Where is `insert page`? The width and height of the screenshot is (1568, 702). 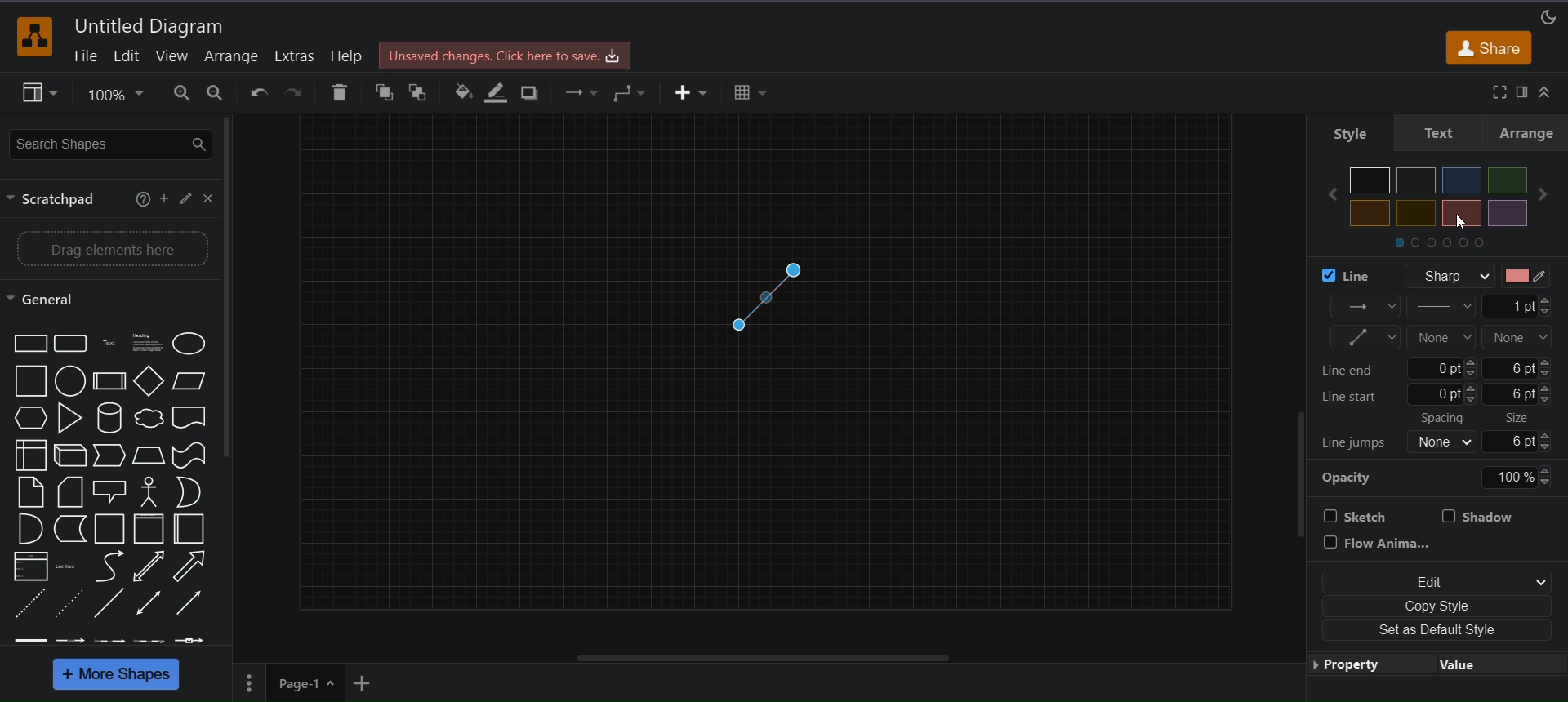 insert page is located at coordinates (363, 683).